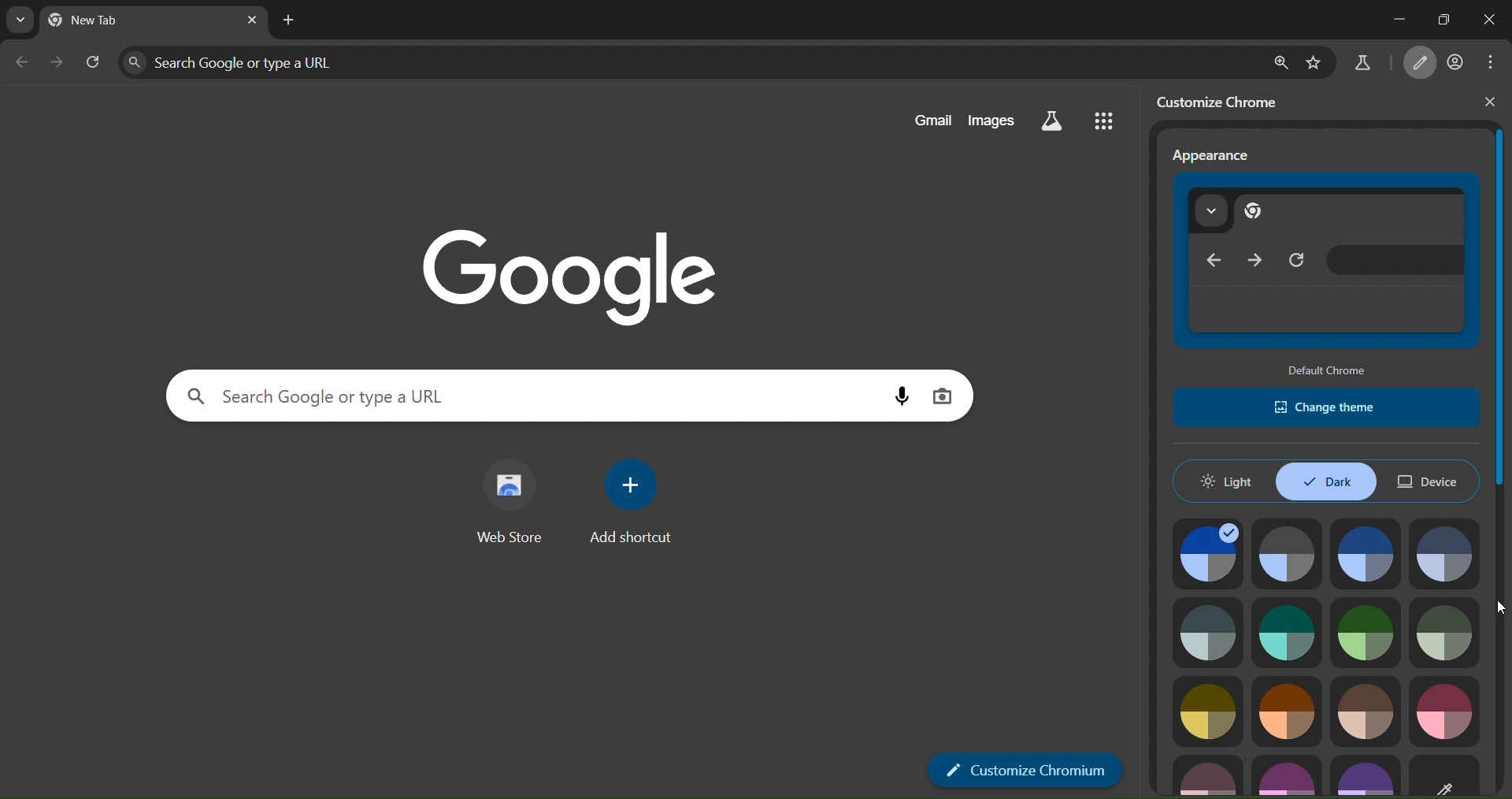 This screenshot has width=1512, height=799. I want to click on theme, so click(1366, 632).